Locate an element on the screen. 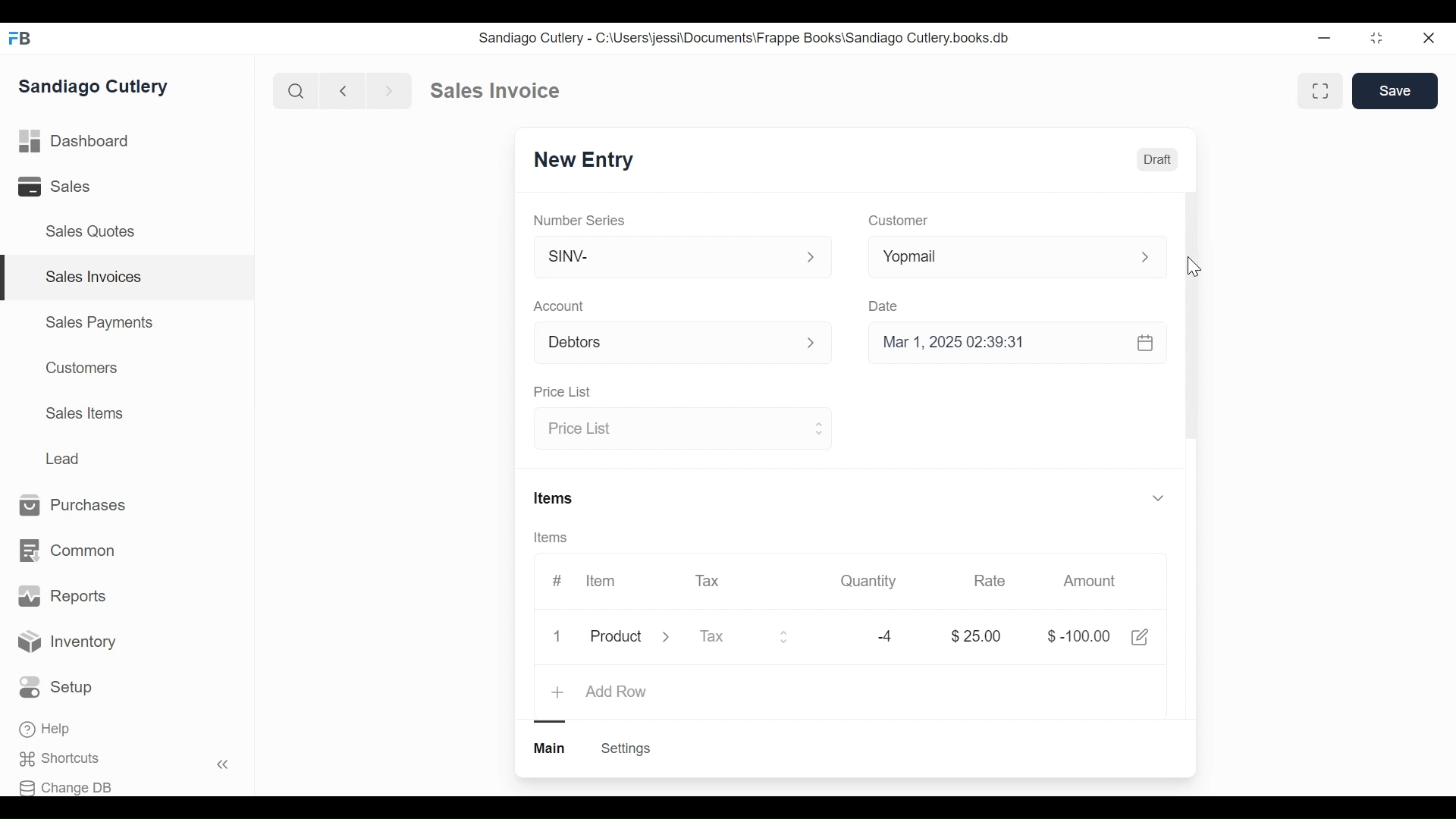 The height and width of the screenshot is (819, 1456). 1 is located at coordinates (558, 635).